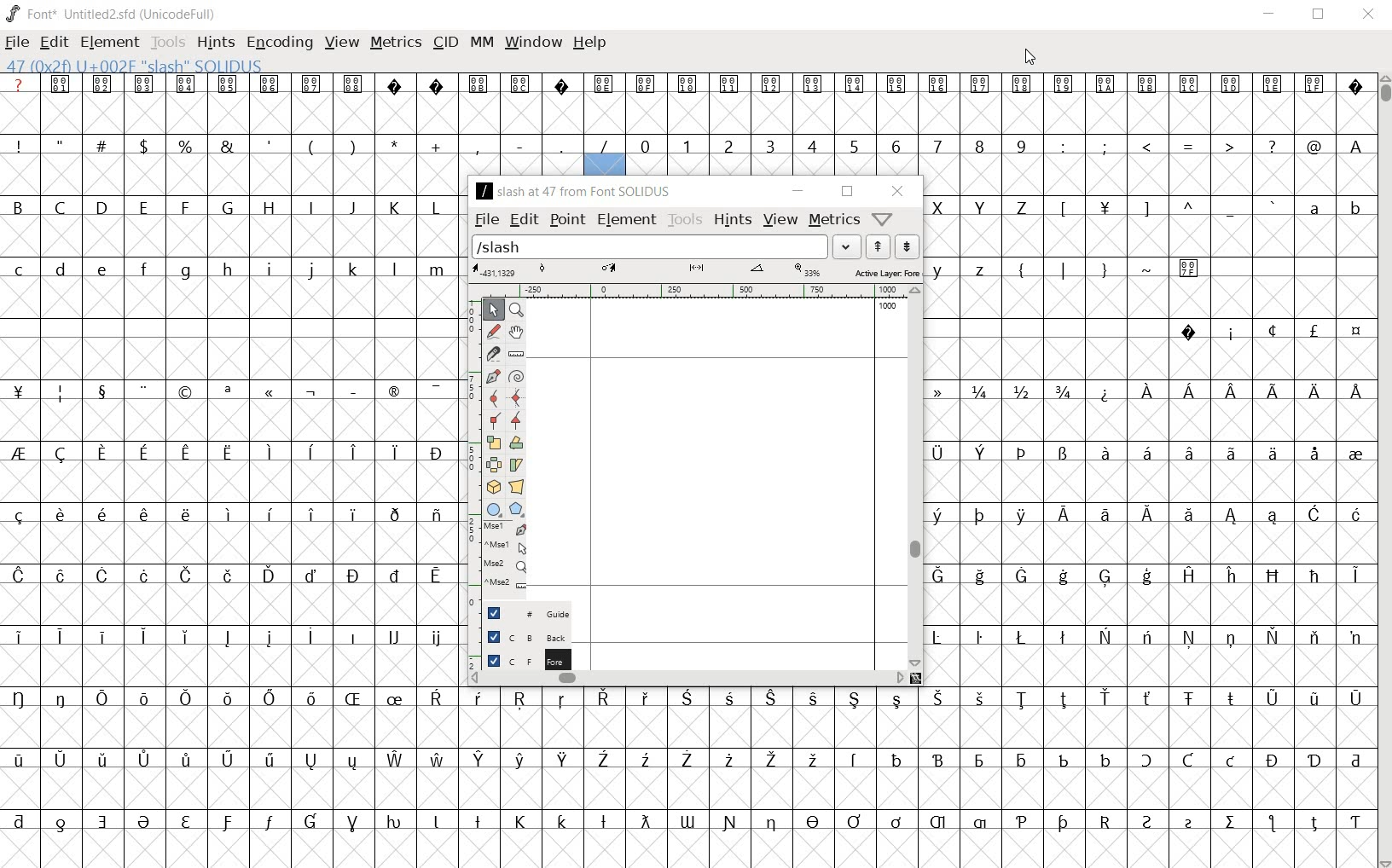 This screenshot has height=868, width=1392. What do you see at coordinates (516, 377) in the screenshot?
I see `change whether spiro is active or not` at bounding box center [516, 377].